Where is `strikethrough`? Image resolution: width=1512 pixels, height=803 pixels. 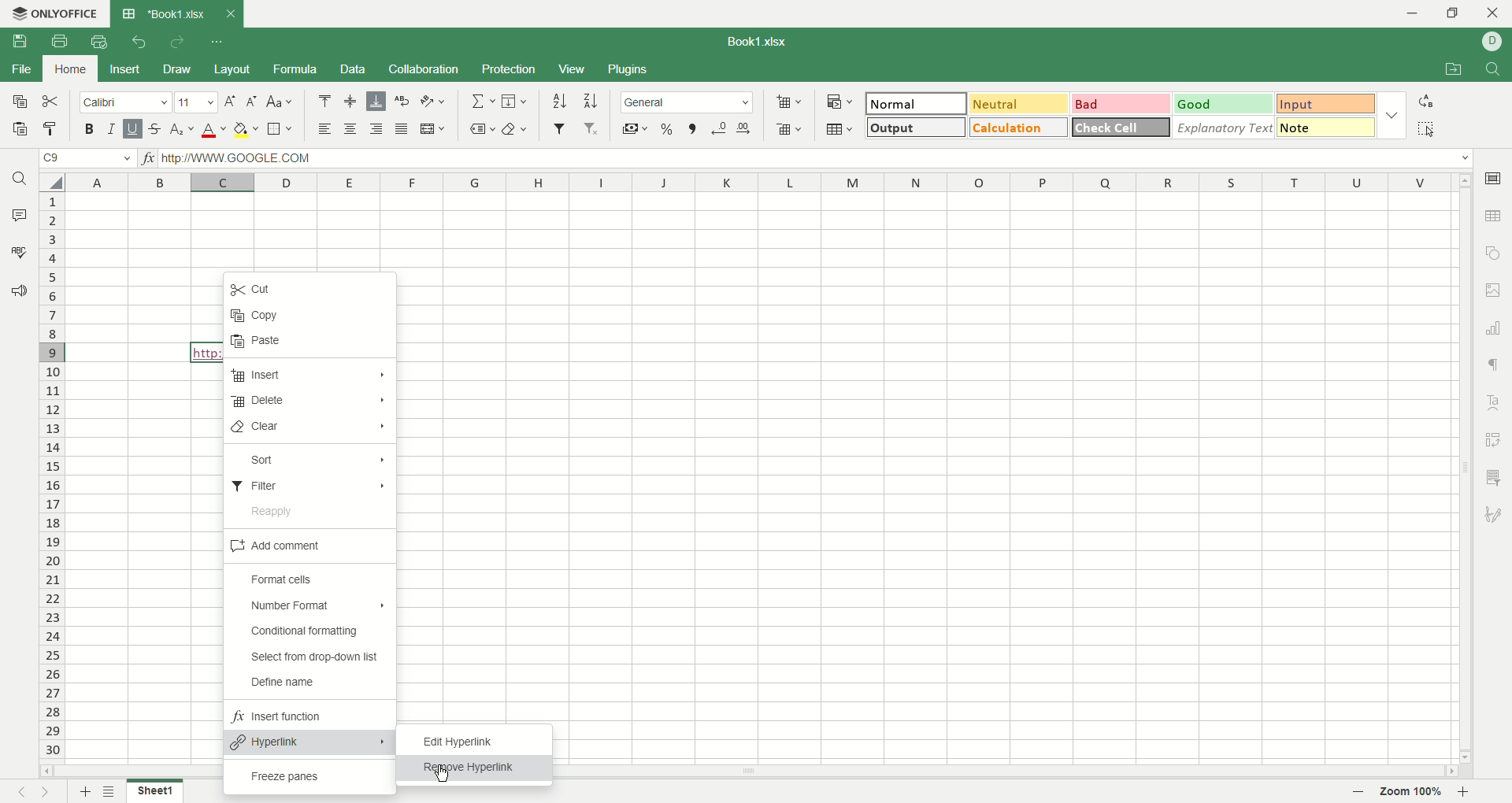
strikethrough is located at coordinates (153, 130).